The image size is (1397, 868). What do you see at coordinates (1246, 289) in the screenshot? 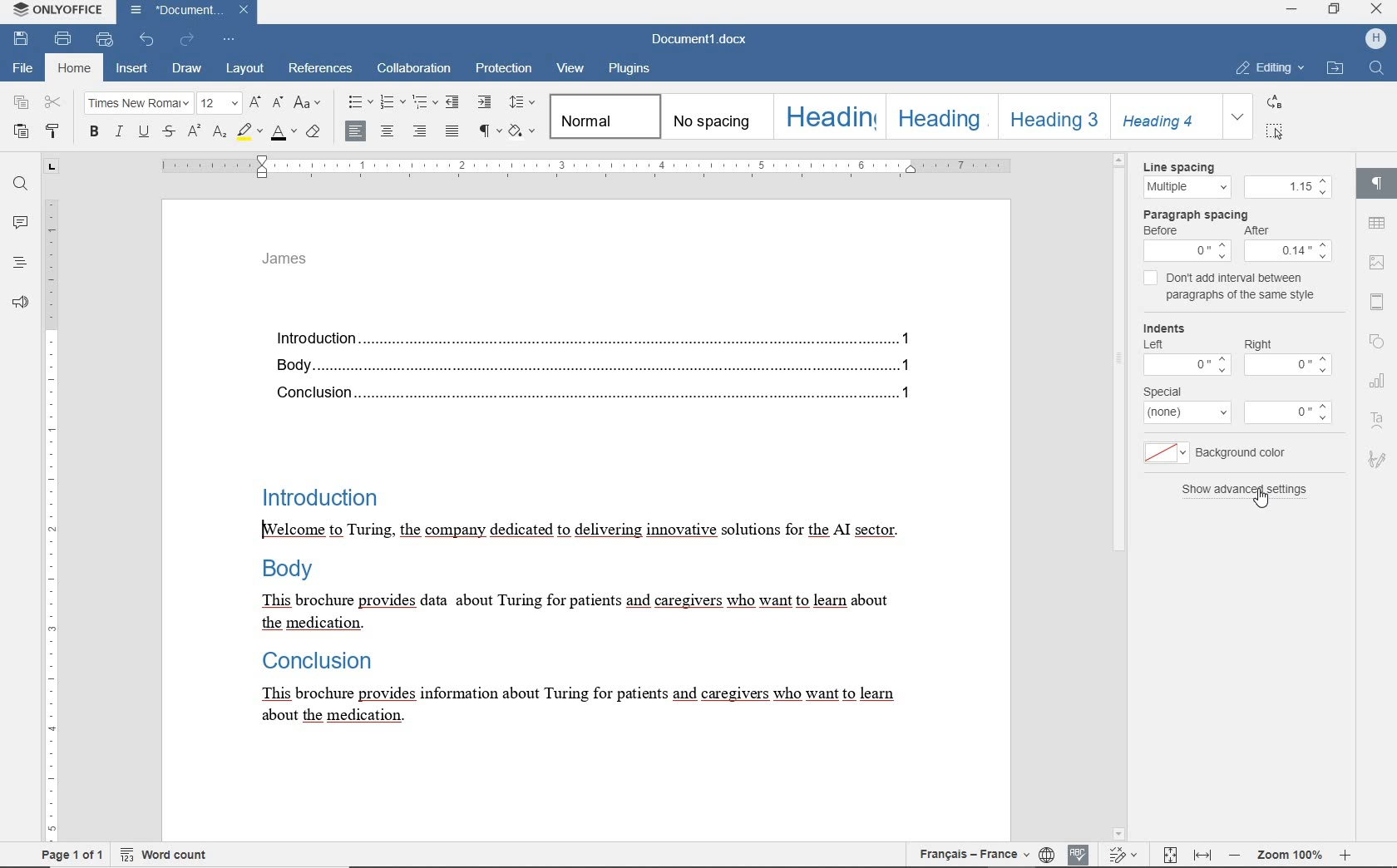
I see `don't add interval between paragraphs of the same style` at bounding box center [1246, 289].